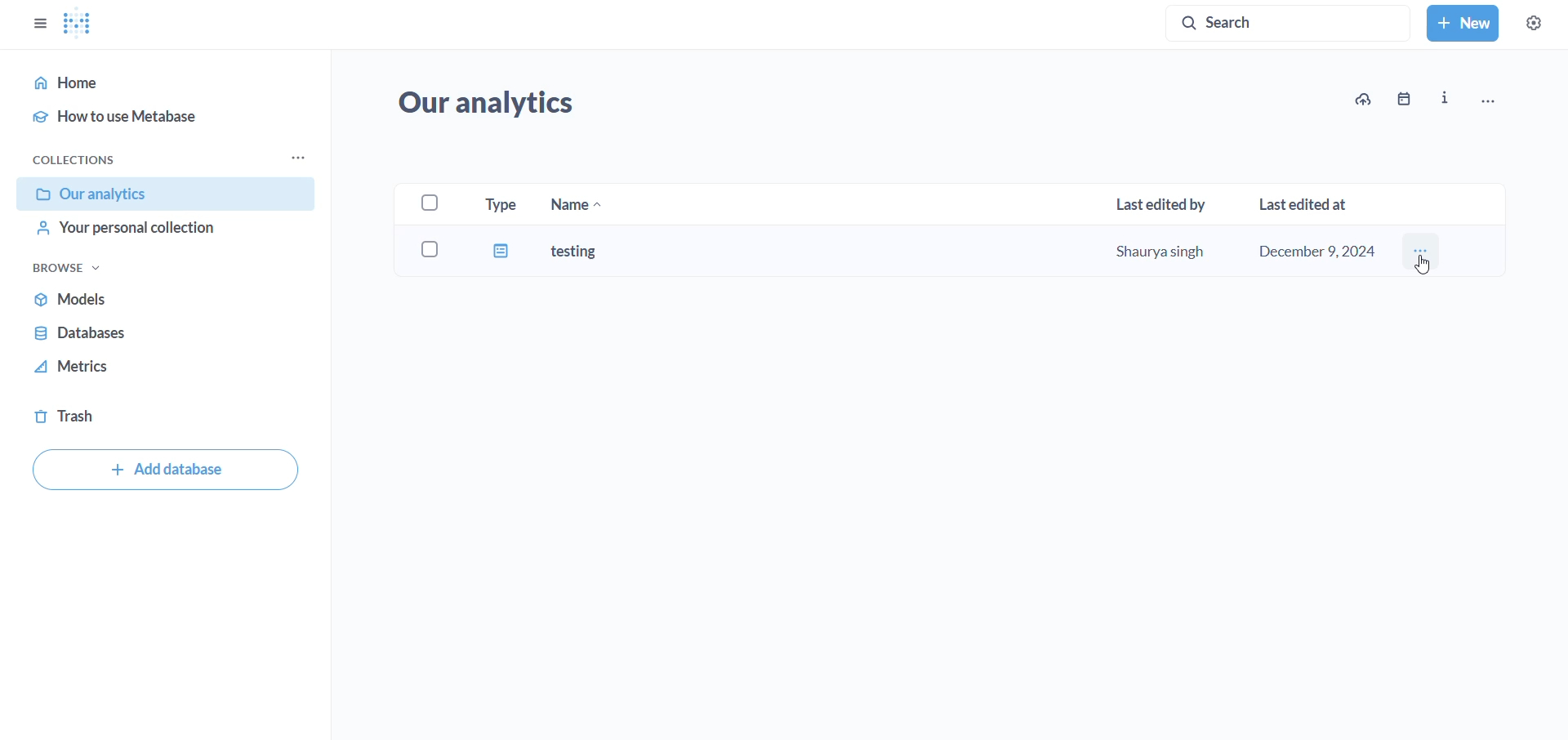  What do you see at coordinates (1290, 24) in the screenshot?
I see `search button` at bounding box center [1290, 24].